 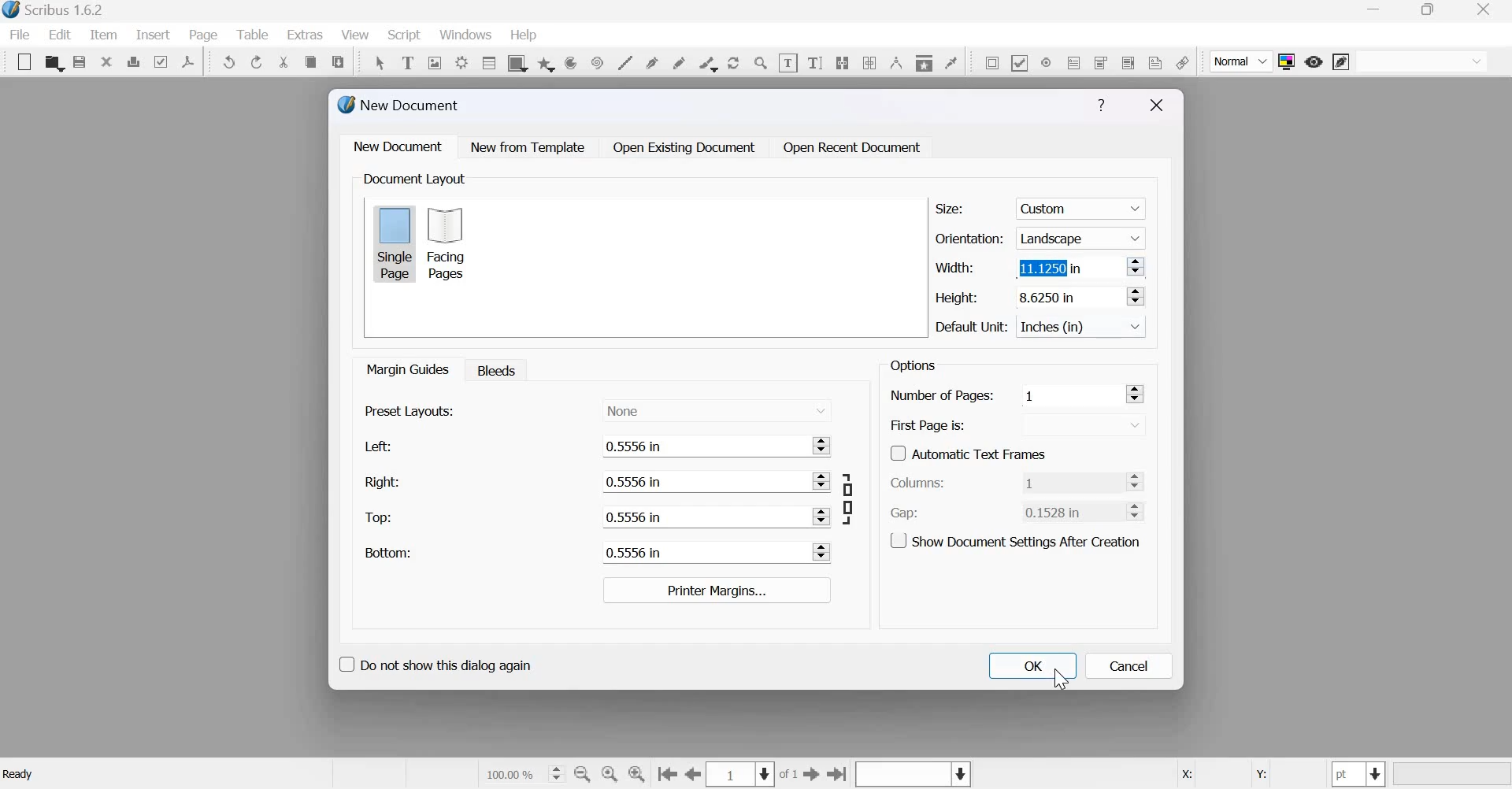 What do you see at coordinates (1067, 266) in the screenshot?
I see `11.1250 in` at bounding box center [1067, 266].